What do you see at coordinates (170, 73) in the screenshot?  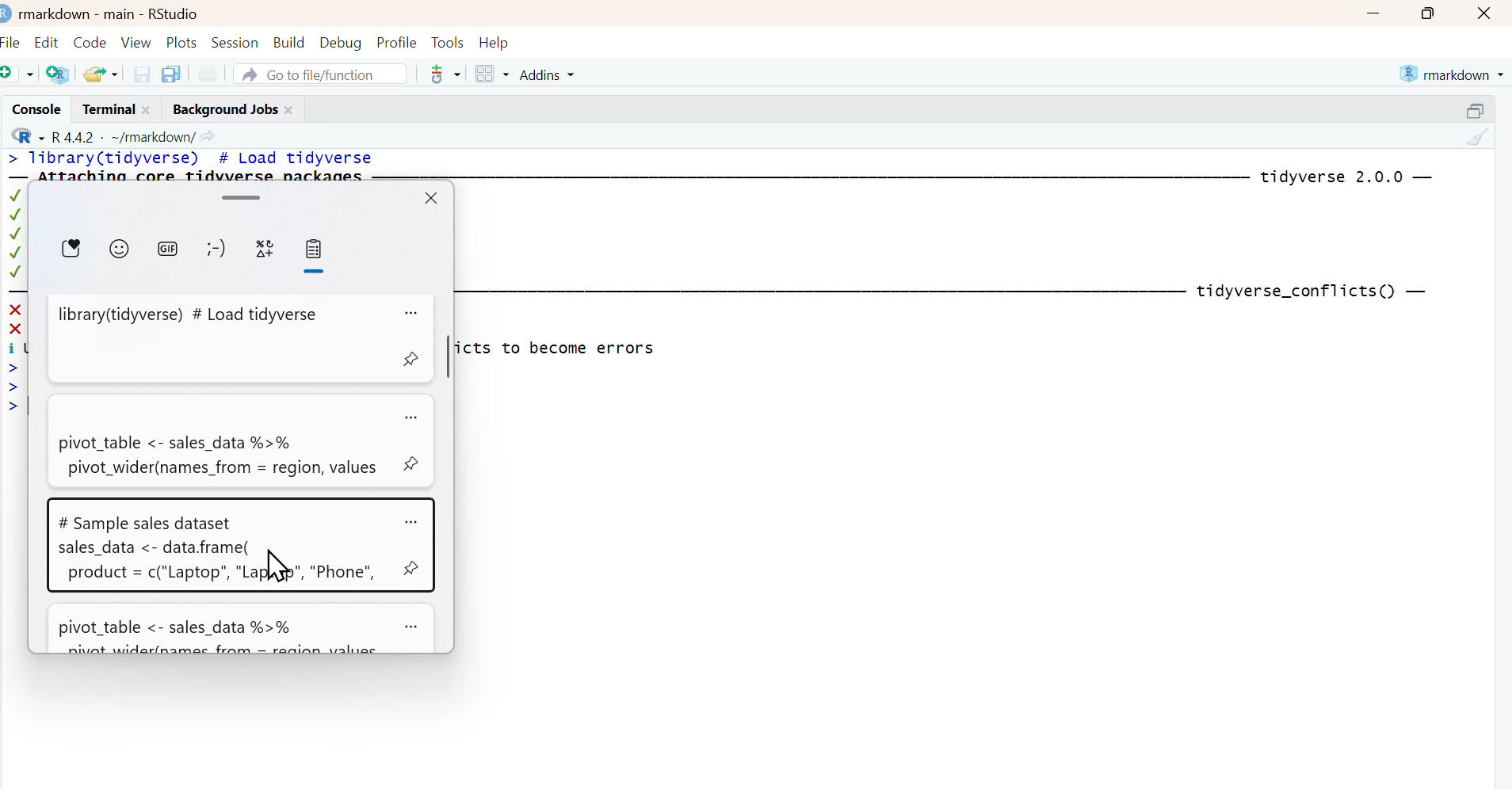 I see `save all` at bounding box center [170, 73].